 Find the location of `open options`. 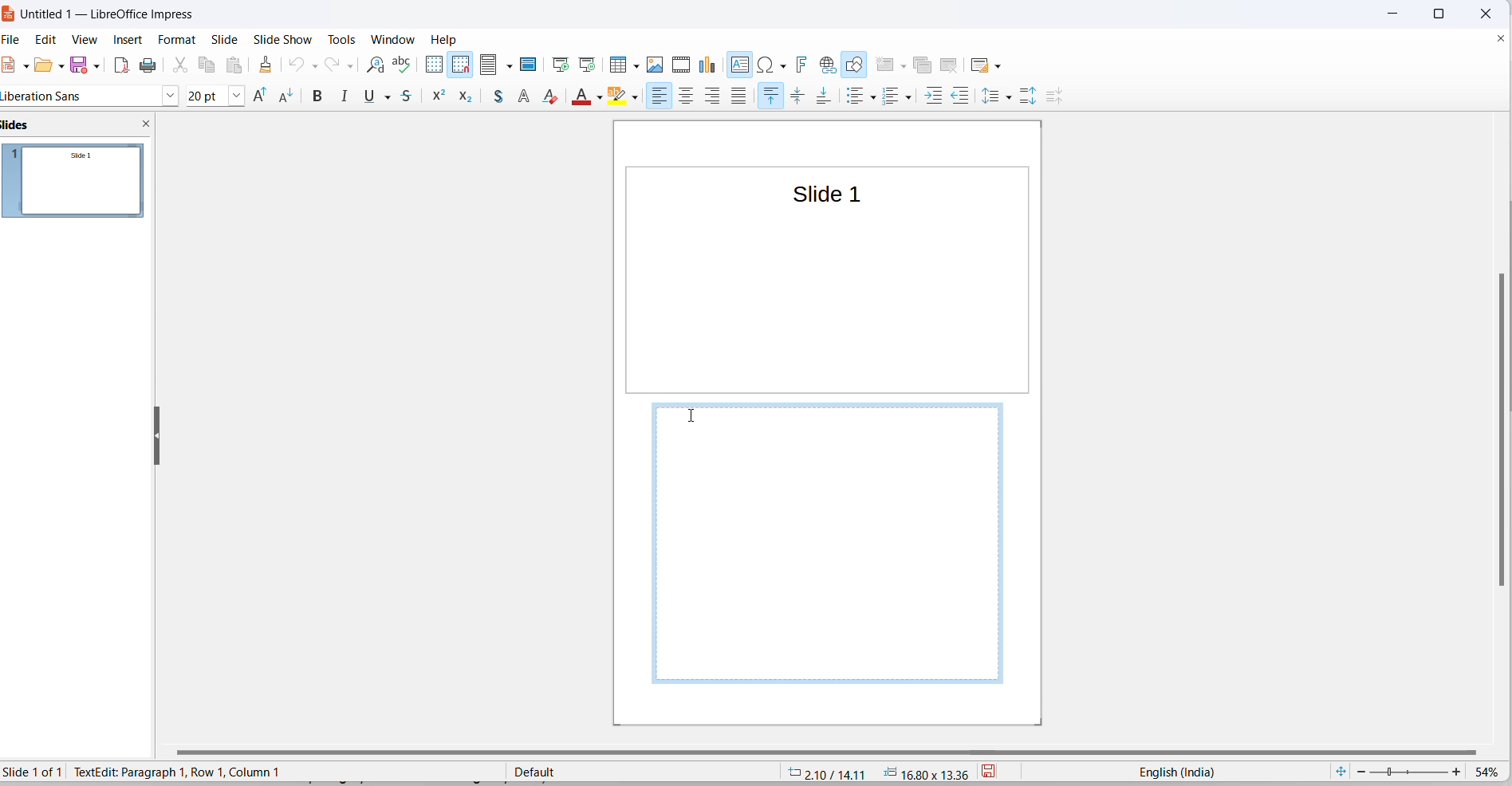

open options is located at coordinates (58, 65).